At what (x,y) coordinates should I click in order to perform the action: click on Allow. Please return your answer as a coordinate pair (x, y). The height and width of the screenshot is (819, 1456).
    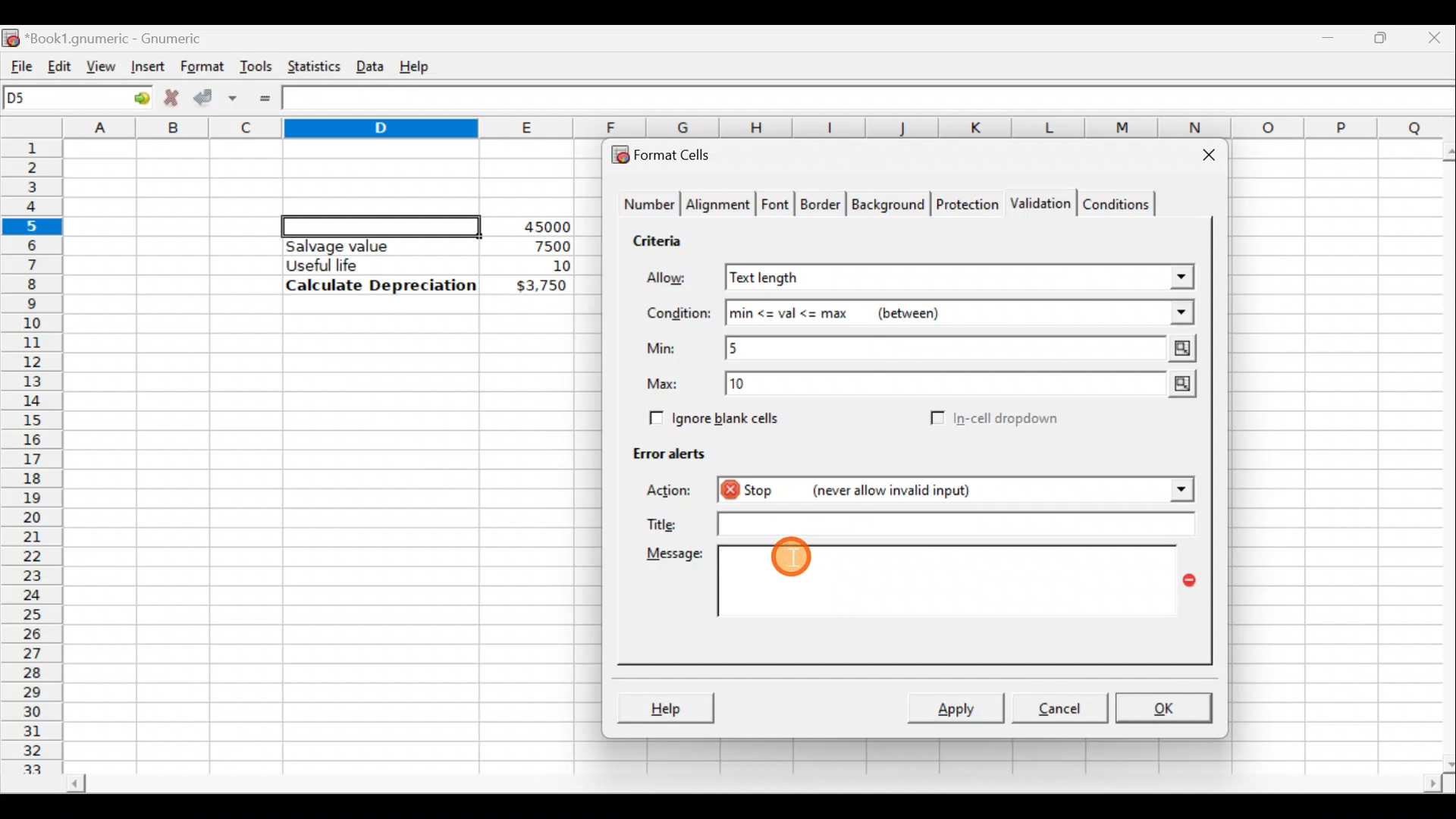
    Looking at the image, I should click on (677, 280).